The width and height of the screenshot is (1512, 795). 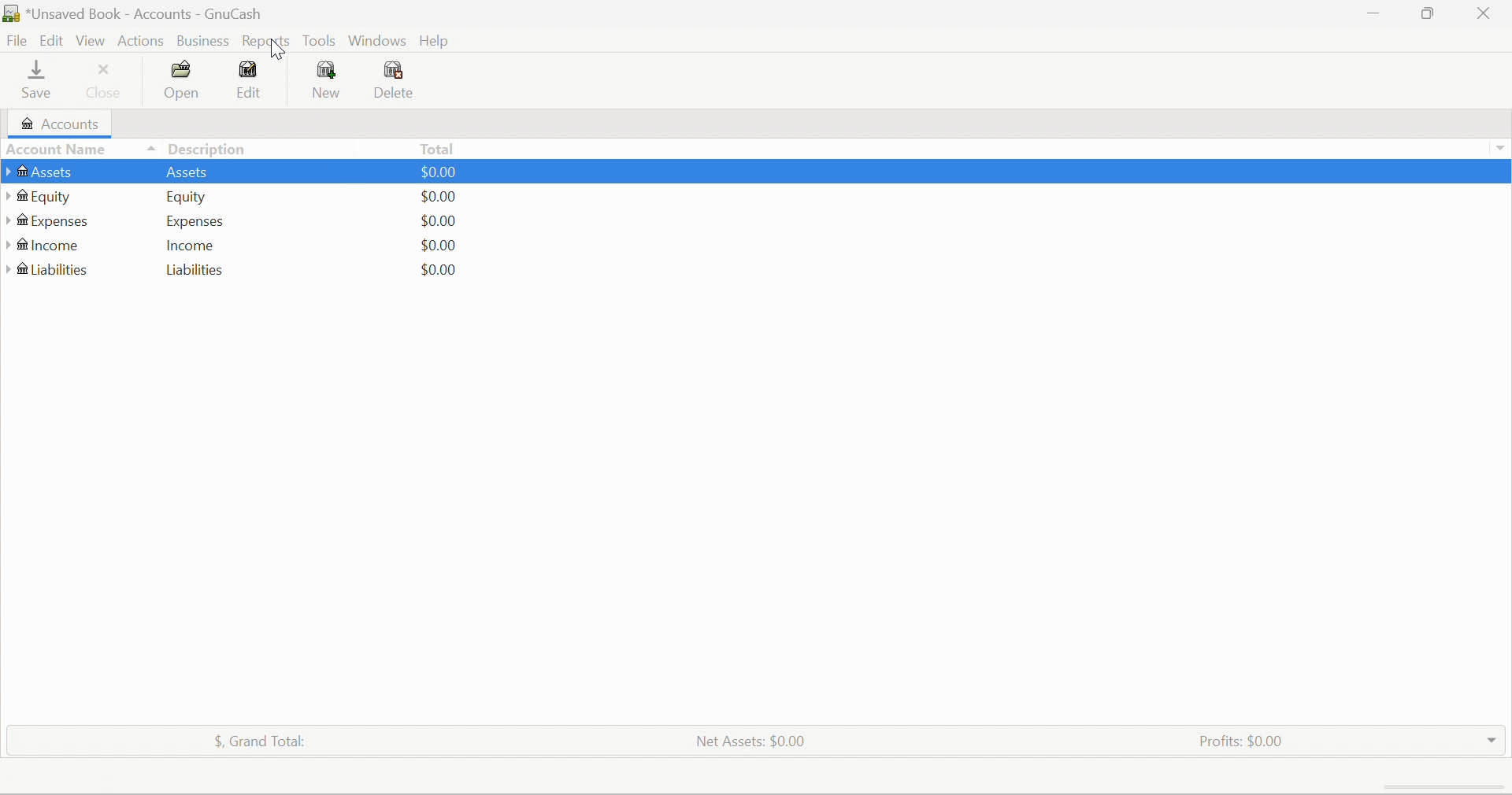 I want to click on New, so click(x=332, y=80).